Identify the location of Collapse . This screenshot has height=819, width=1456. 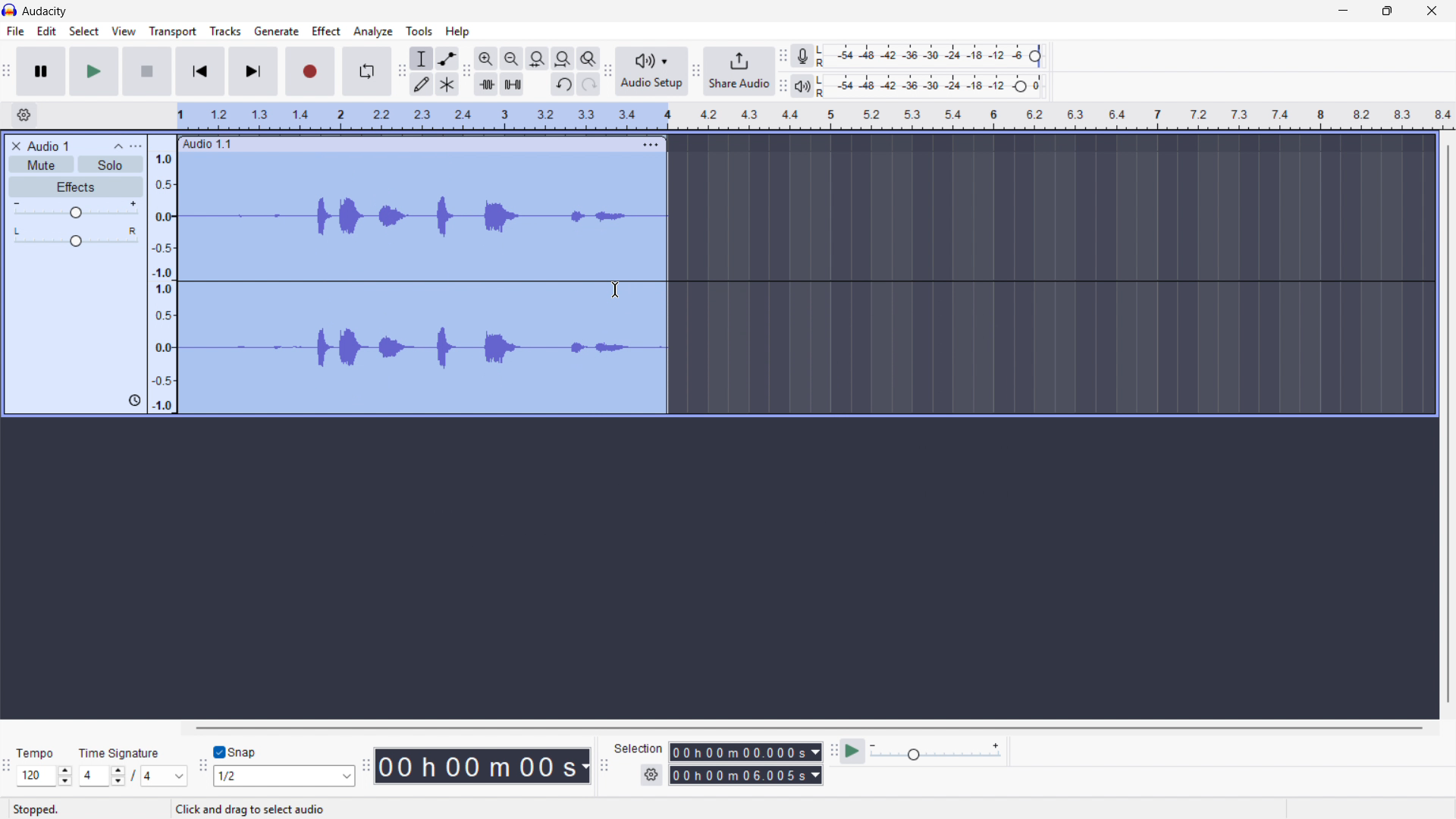
(118, 146).